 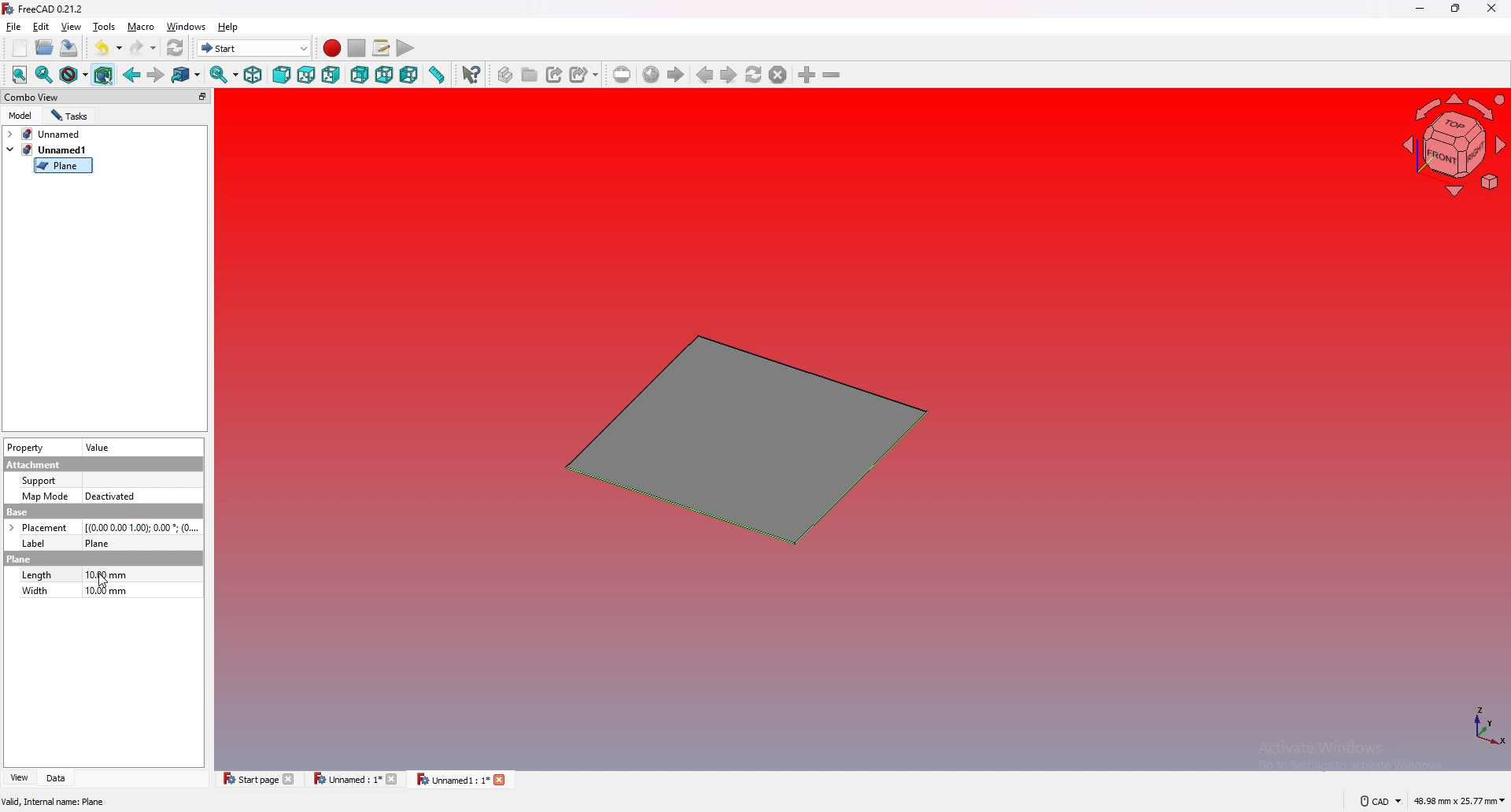 What do you see at coordinates (360, 76) in the screenshot?
I see `rear` at bounding box center [360, 76].